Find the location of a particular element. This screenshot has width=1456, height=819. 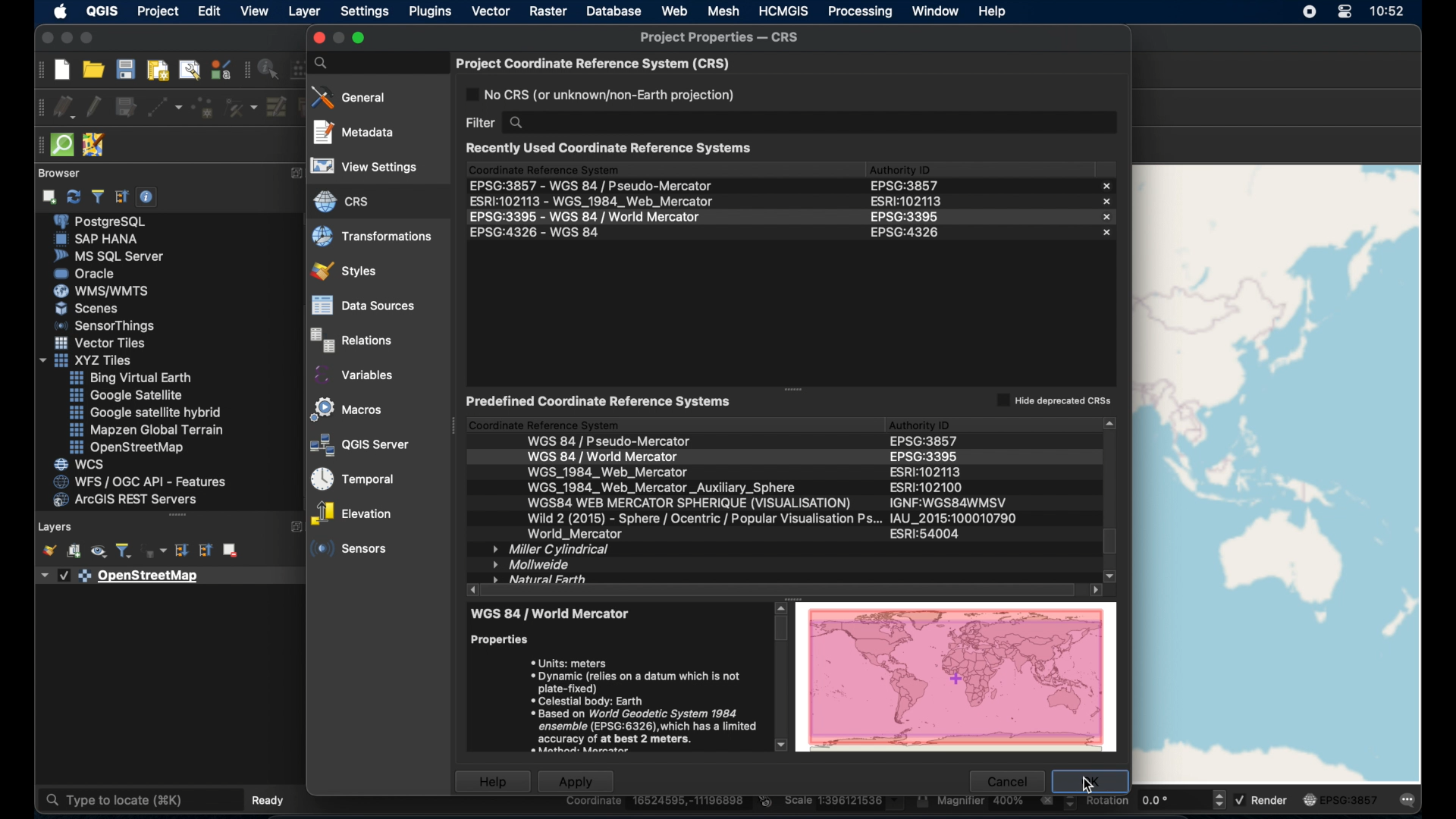

database is located at coordinates (613, 11).